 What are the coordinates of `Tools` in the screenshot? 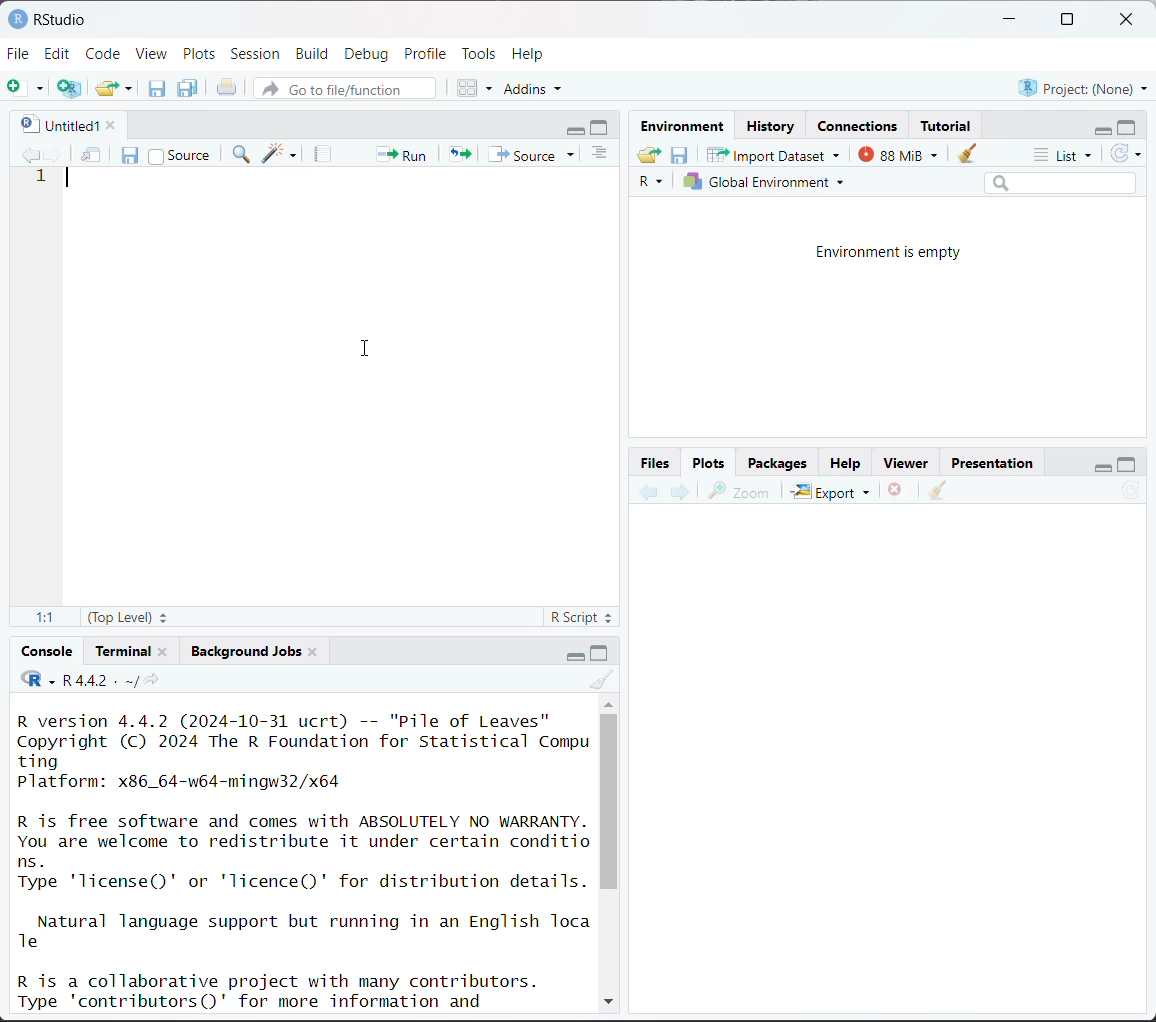 It's located at (479, 52).